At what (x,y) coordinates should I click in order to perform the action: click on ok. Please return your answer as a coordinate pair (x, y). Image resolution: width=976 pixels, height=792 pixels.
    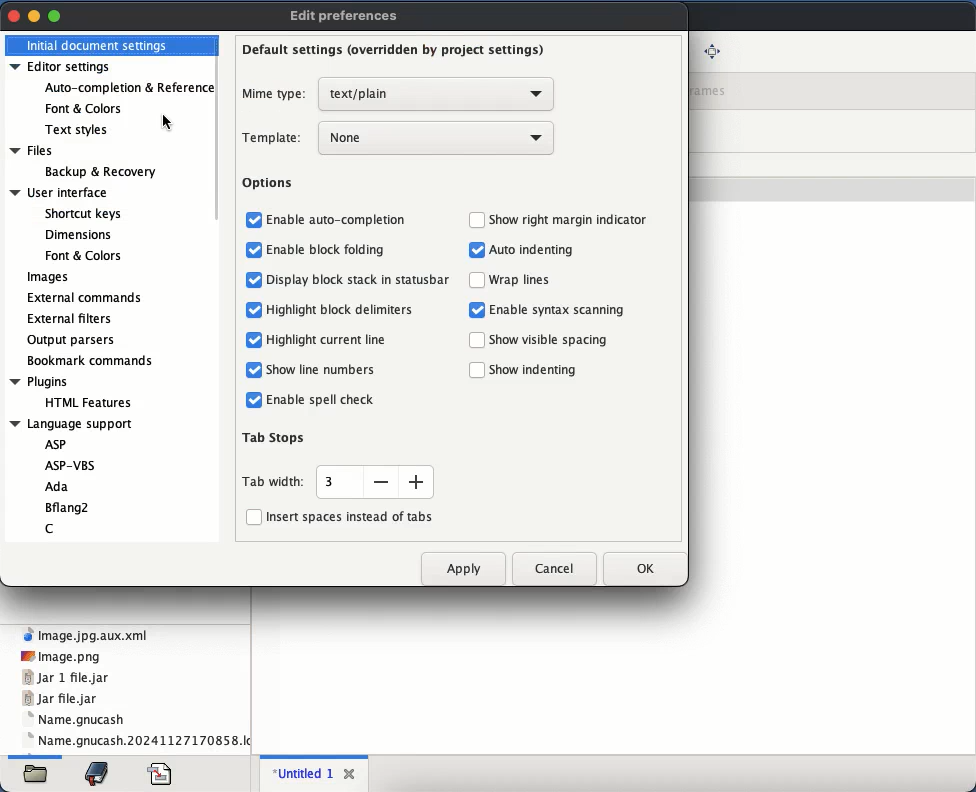
    Looking at the image, I should click on (644, 568).